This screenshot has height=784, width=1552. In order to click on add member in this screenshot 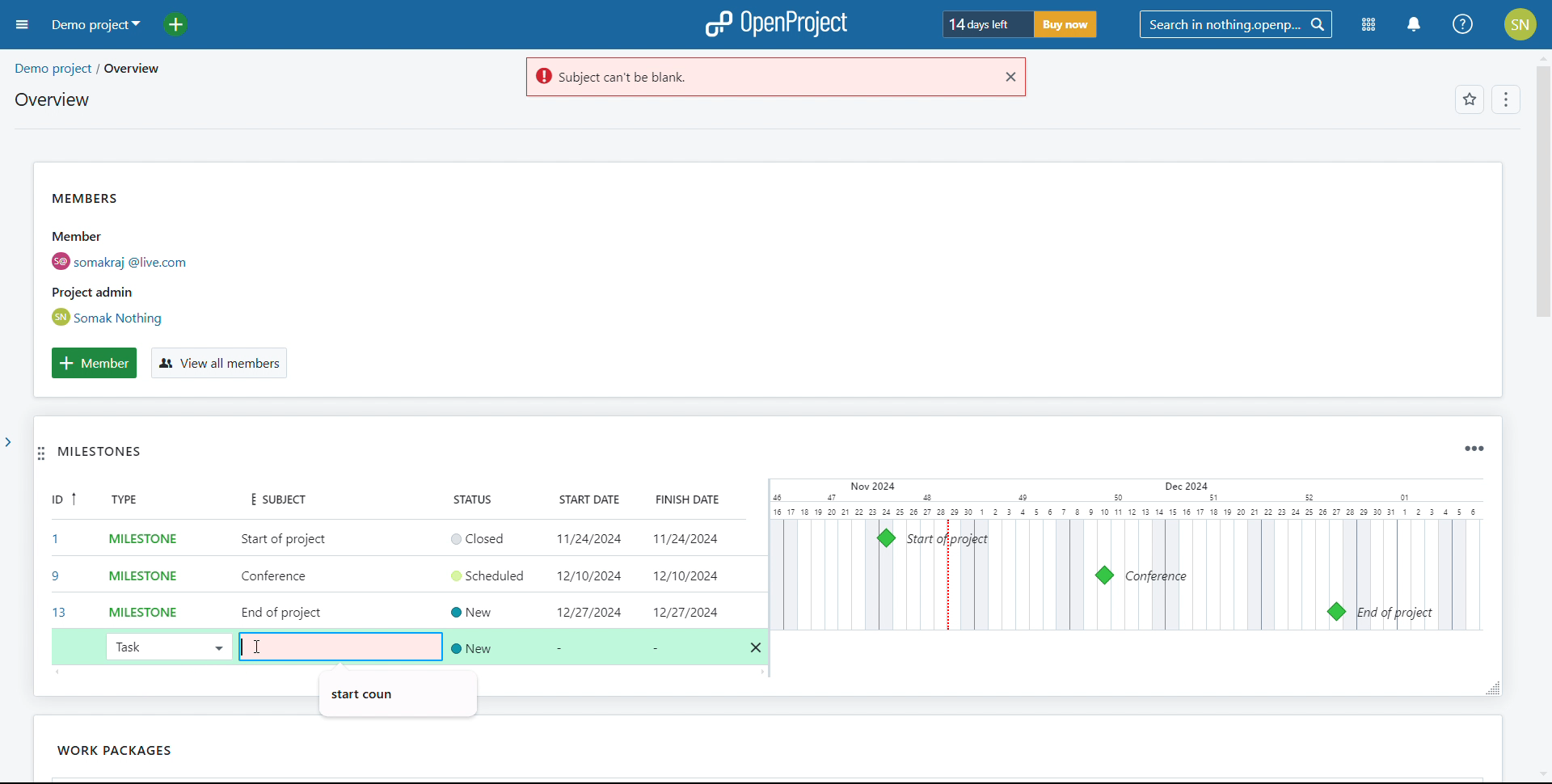, I will do `click(94, 363)`.